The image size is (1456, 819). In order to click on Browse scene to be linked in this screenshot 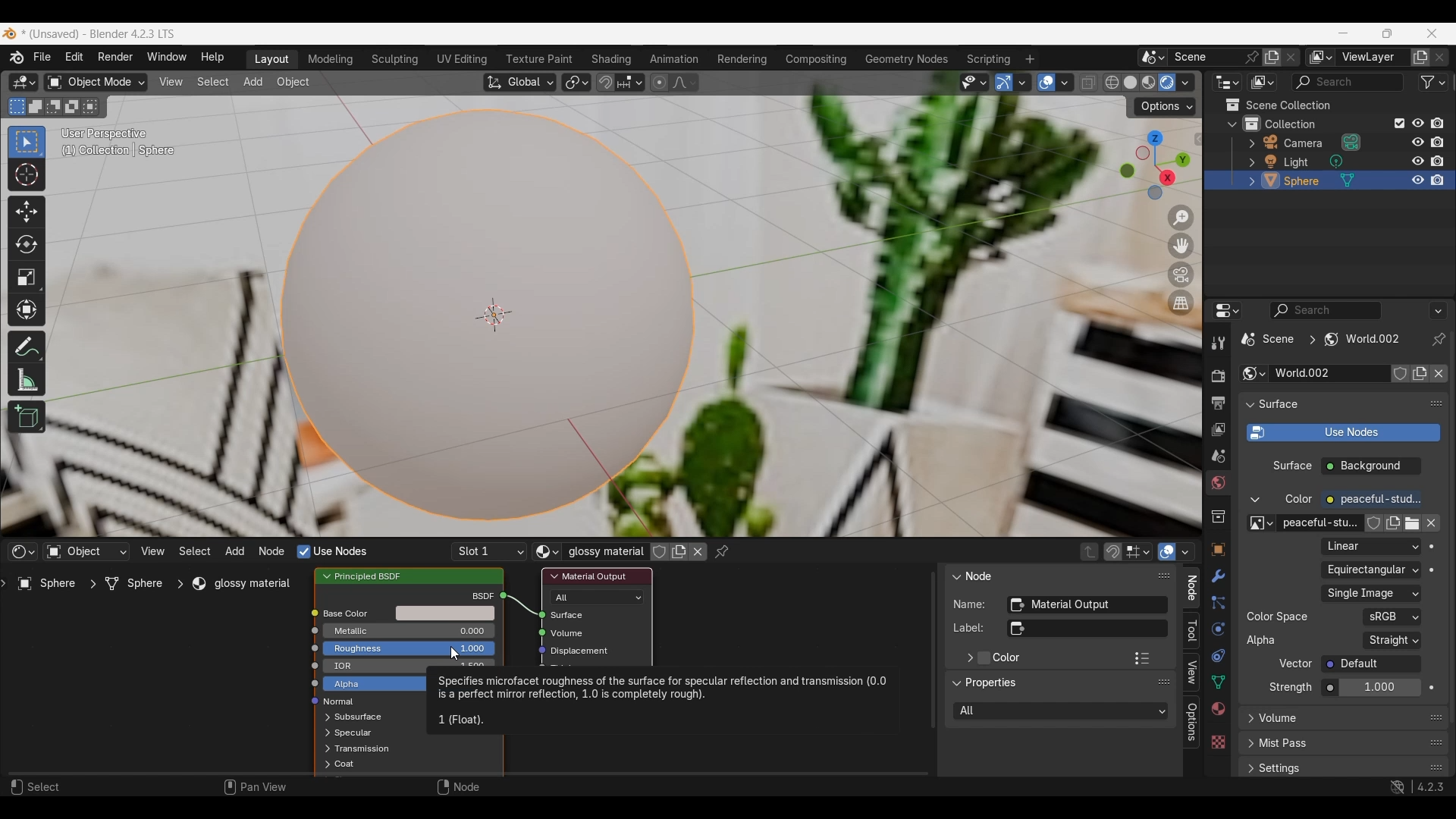, I will do `click(1153, 58)`.